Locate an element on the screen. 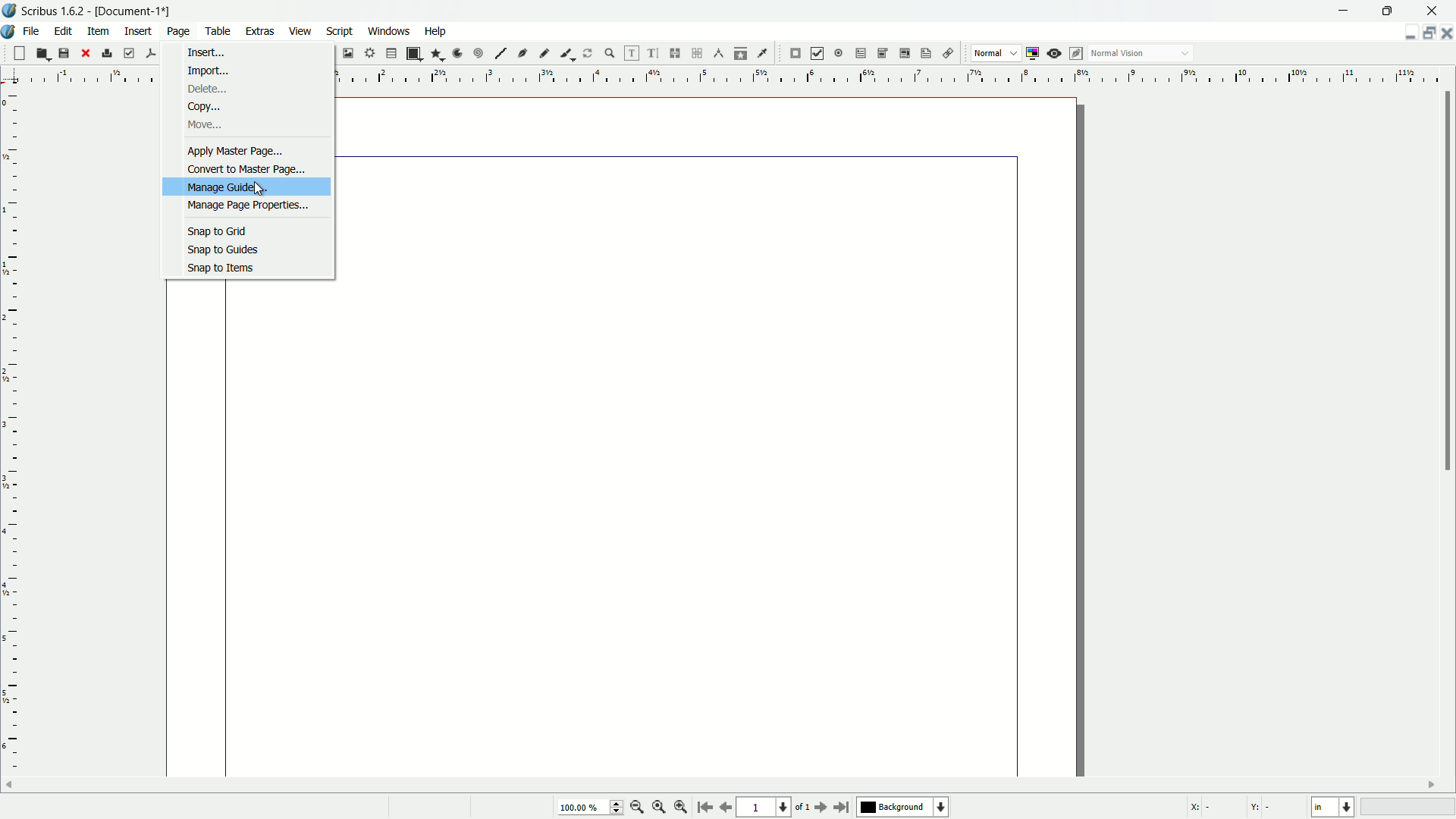 The height and width of the screenshot is (819, 1456). shape is located at coordinates (413, 54).